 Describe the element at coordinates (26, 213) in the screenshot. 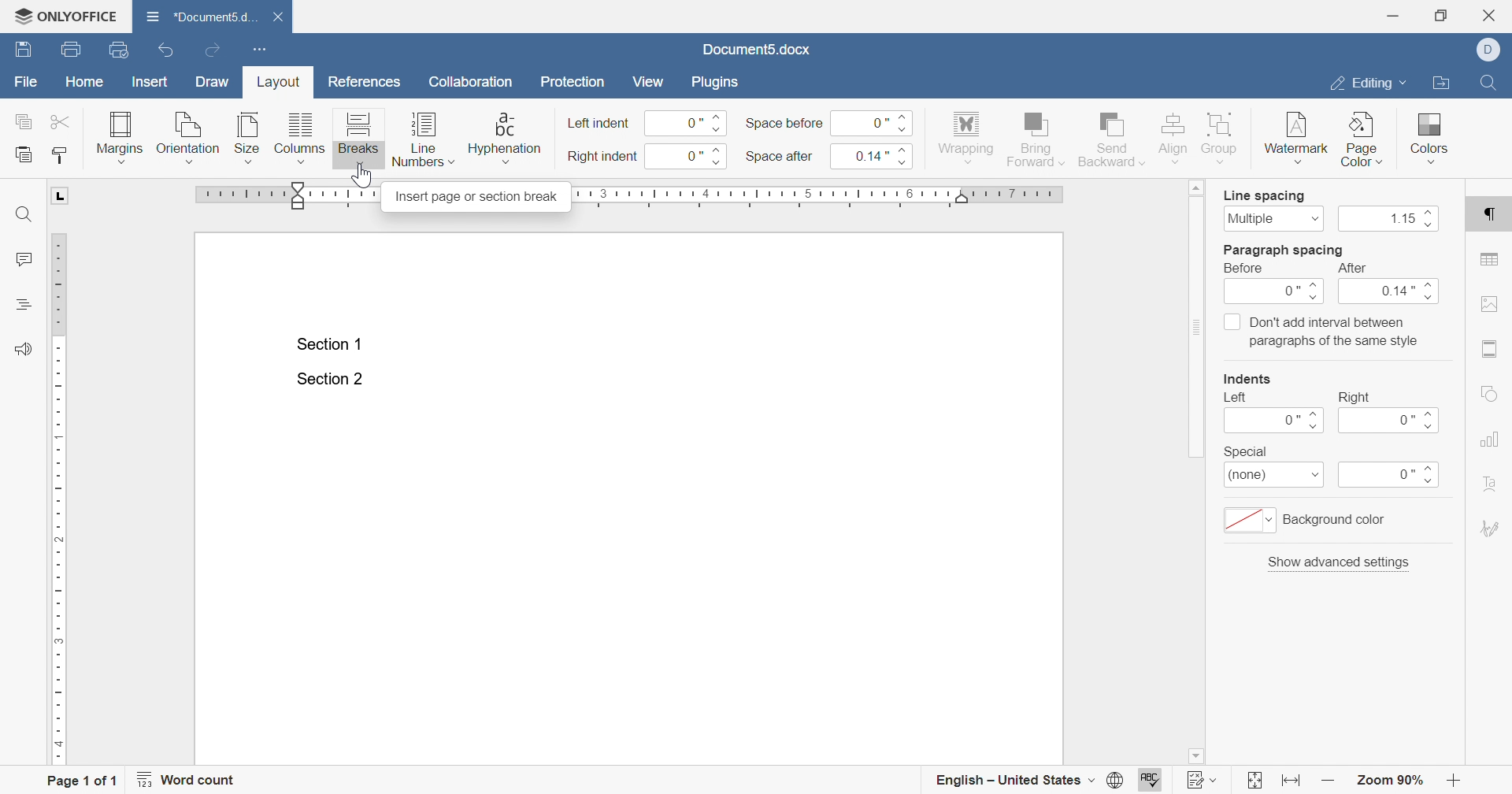

I see `find` at that location.